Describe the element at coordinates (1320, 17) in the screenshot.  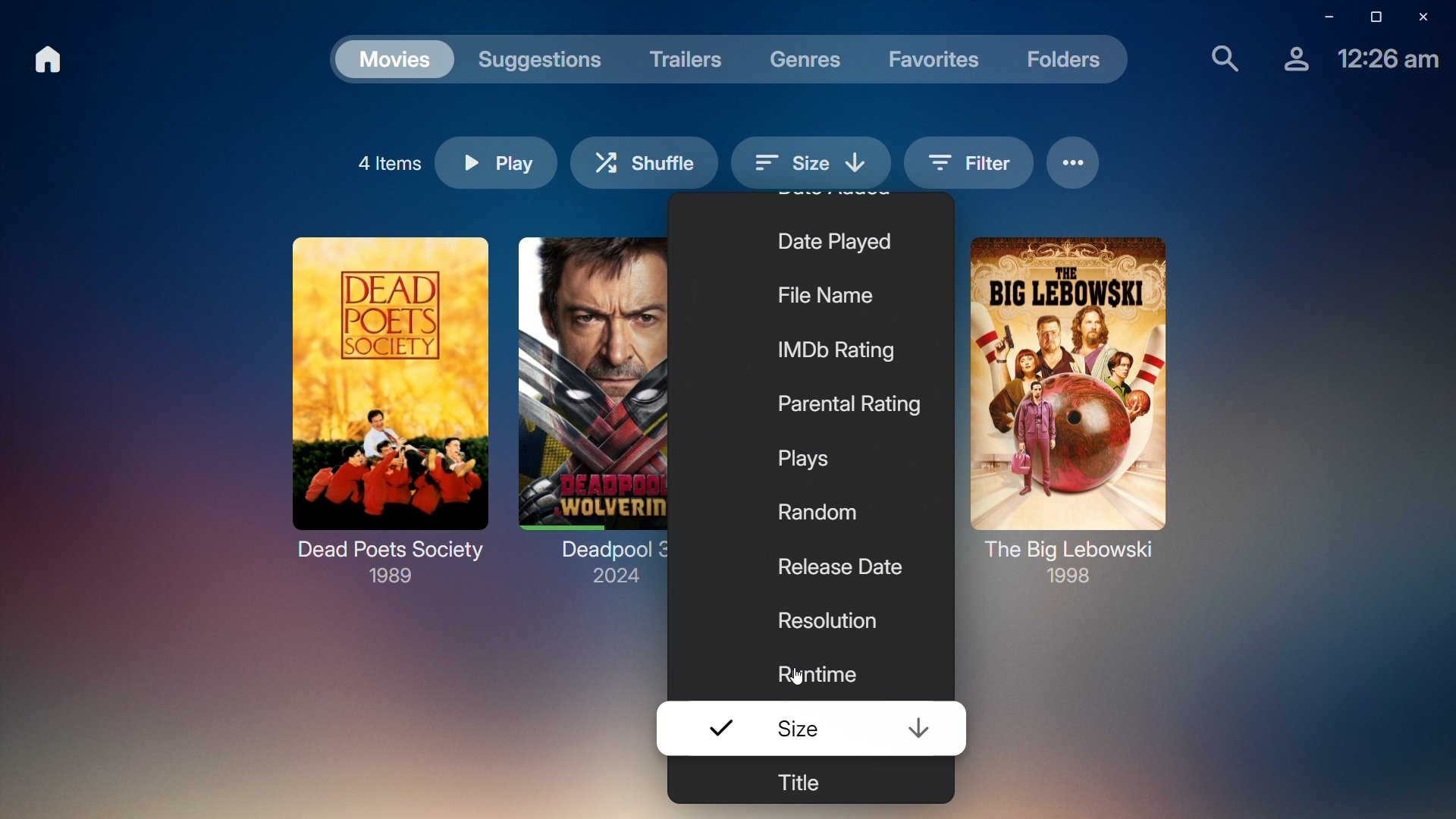
I see `Minimize` at that location.